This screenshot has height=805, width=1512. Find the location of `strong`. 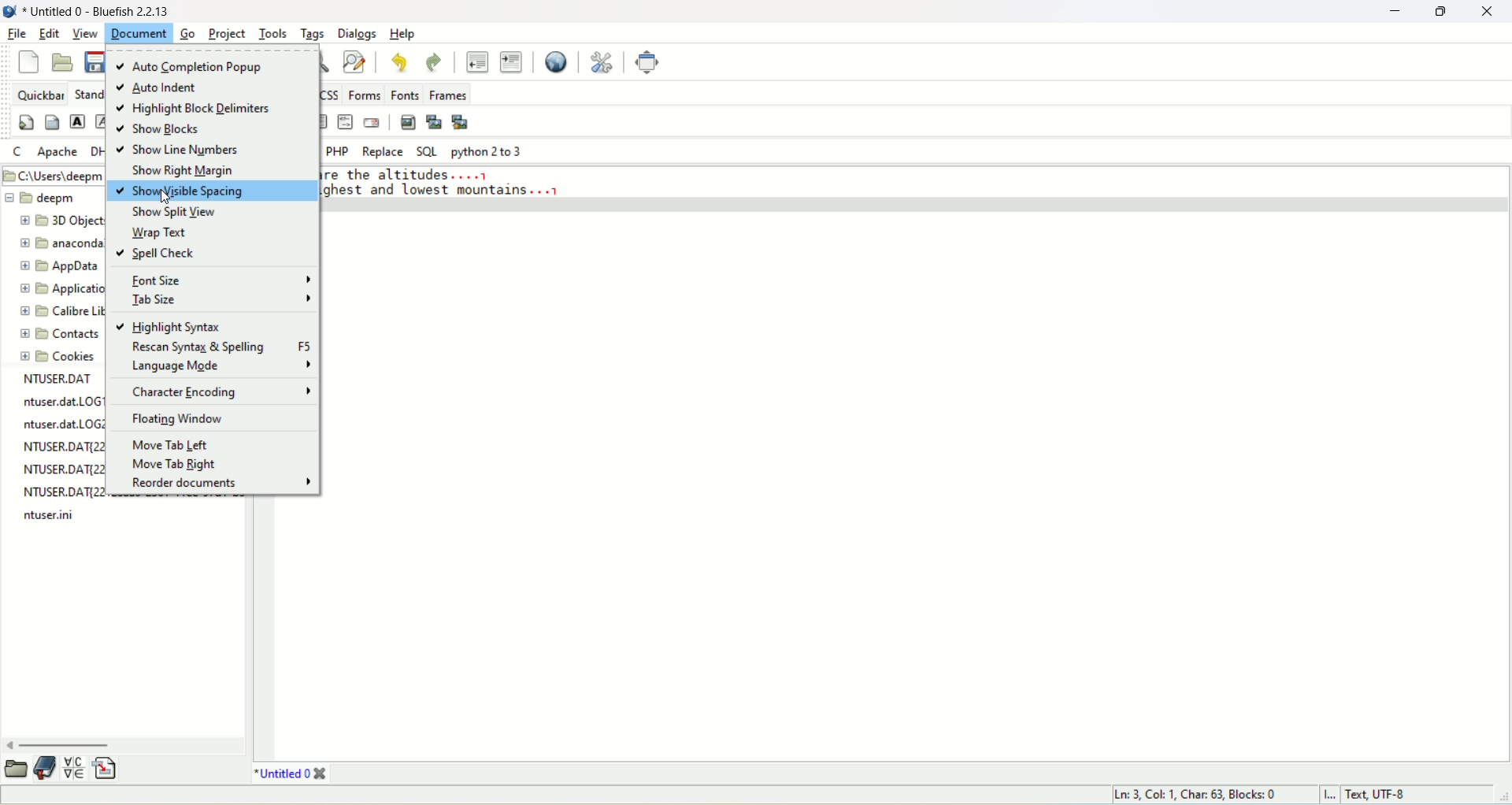

strong is located at coordinates (78, 121).